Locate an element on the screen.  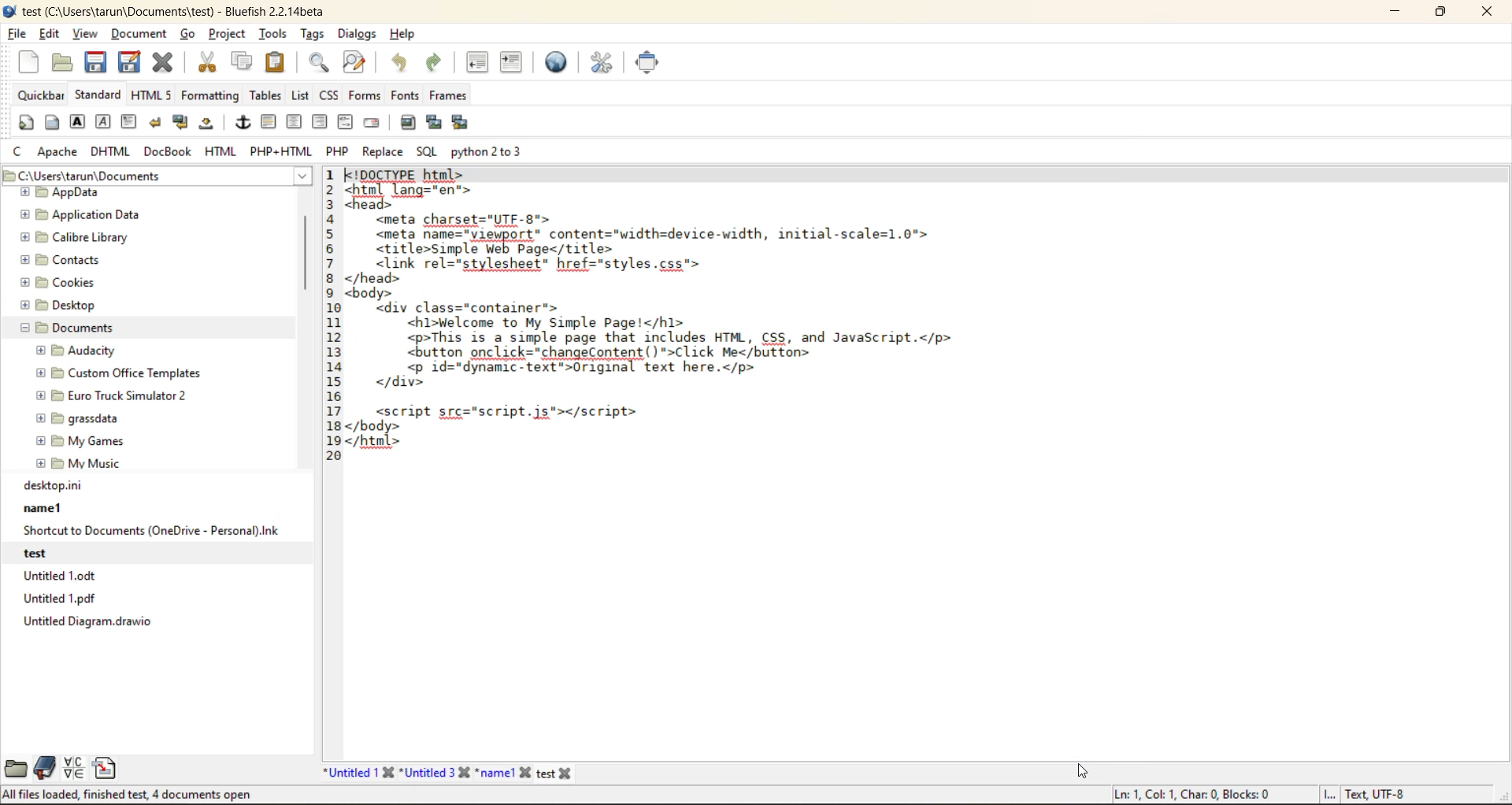
preview in browser is located at coordinates (560, 61).